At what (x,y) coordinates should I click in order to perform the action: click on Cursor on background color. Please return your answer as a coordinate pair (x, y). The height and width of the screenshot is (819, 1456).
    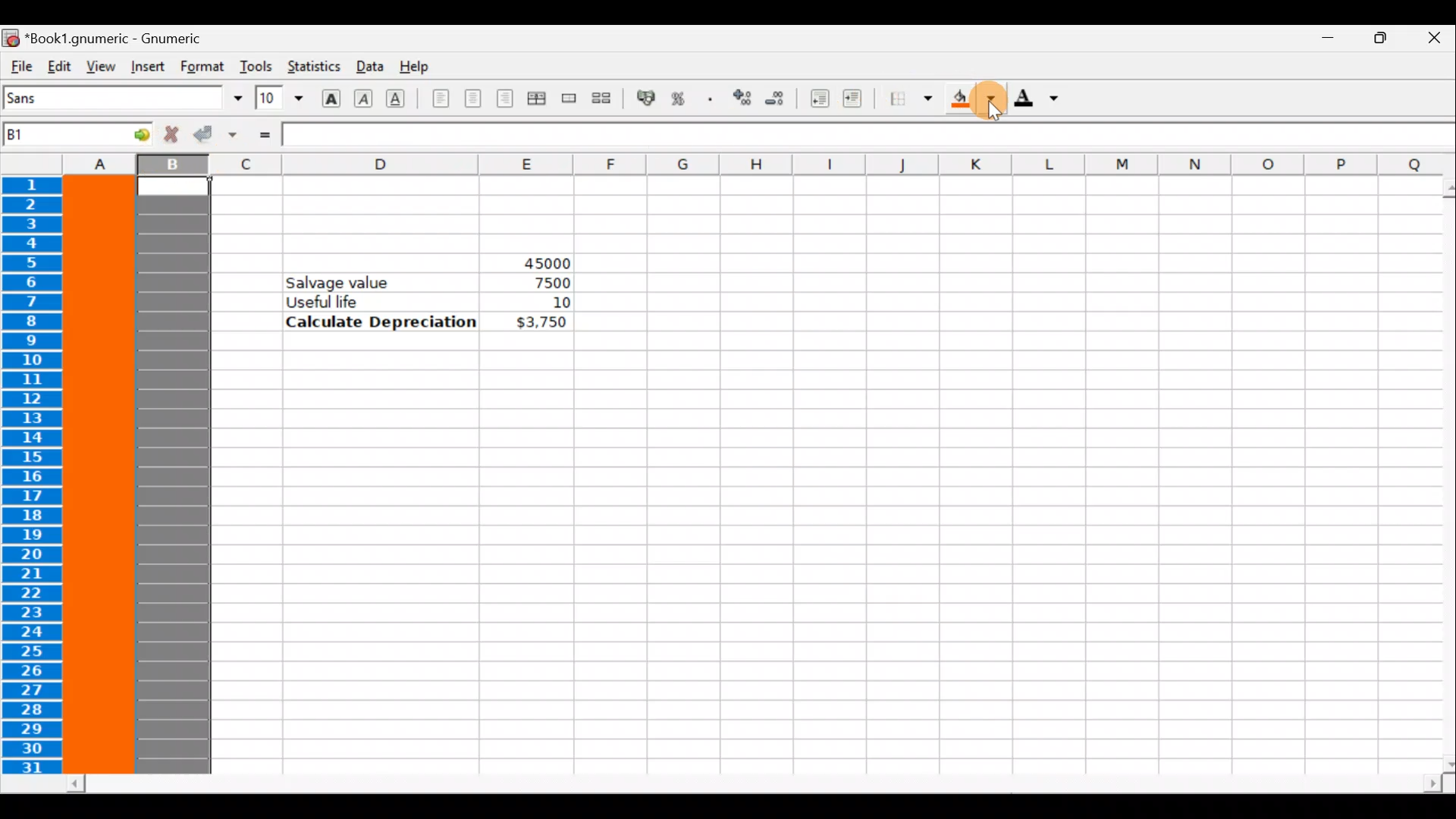
    Looking at the image, I should click on (992, 99).